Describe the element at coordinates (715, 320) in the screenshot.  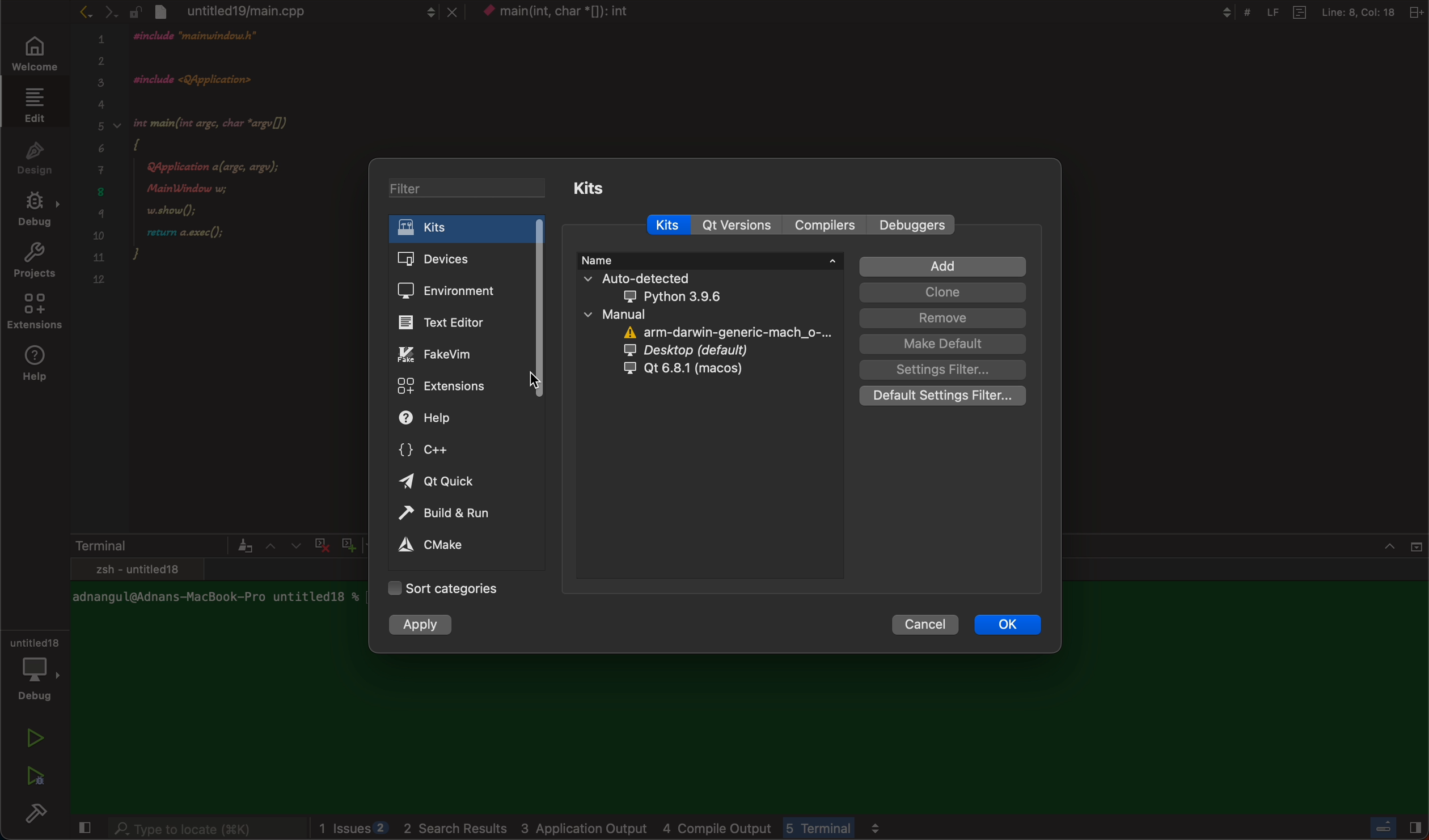
I see `kit information` at that location.